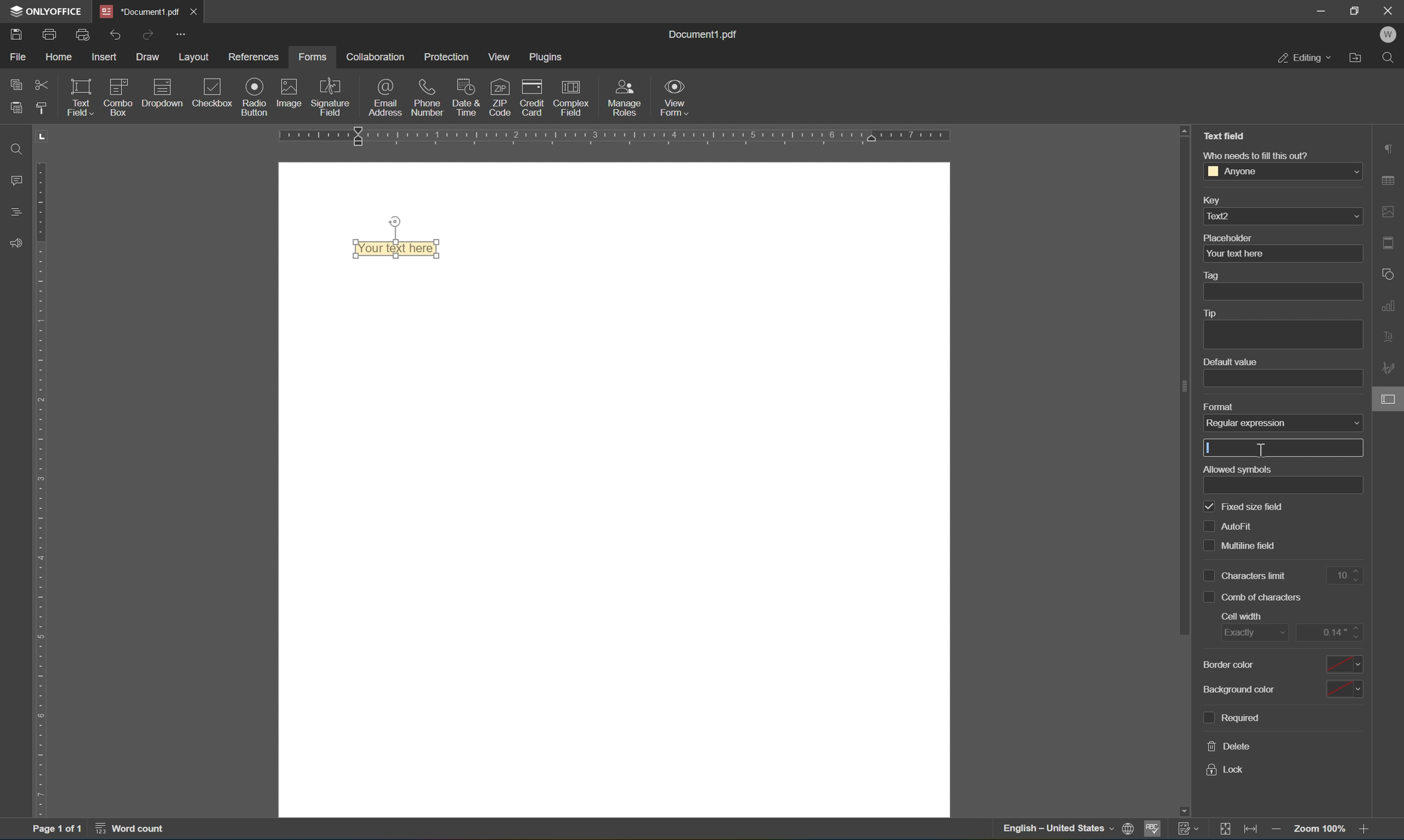 The image size is (1404, 840). Describe the element at coordinates (1233, 362) in the screenshot. I see `default value` at that location.